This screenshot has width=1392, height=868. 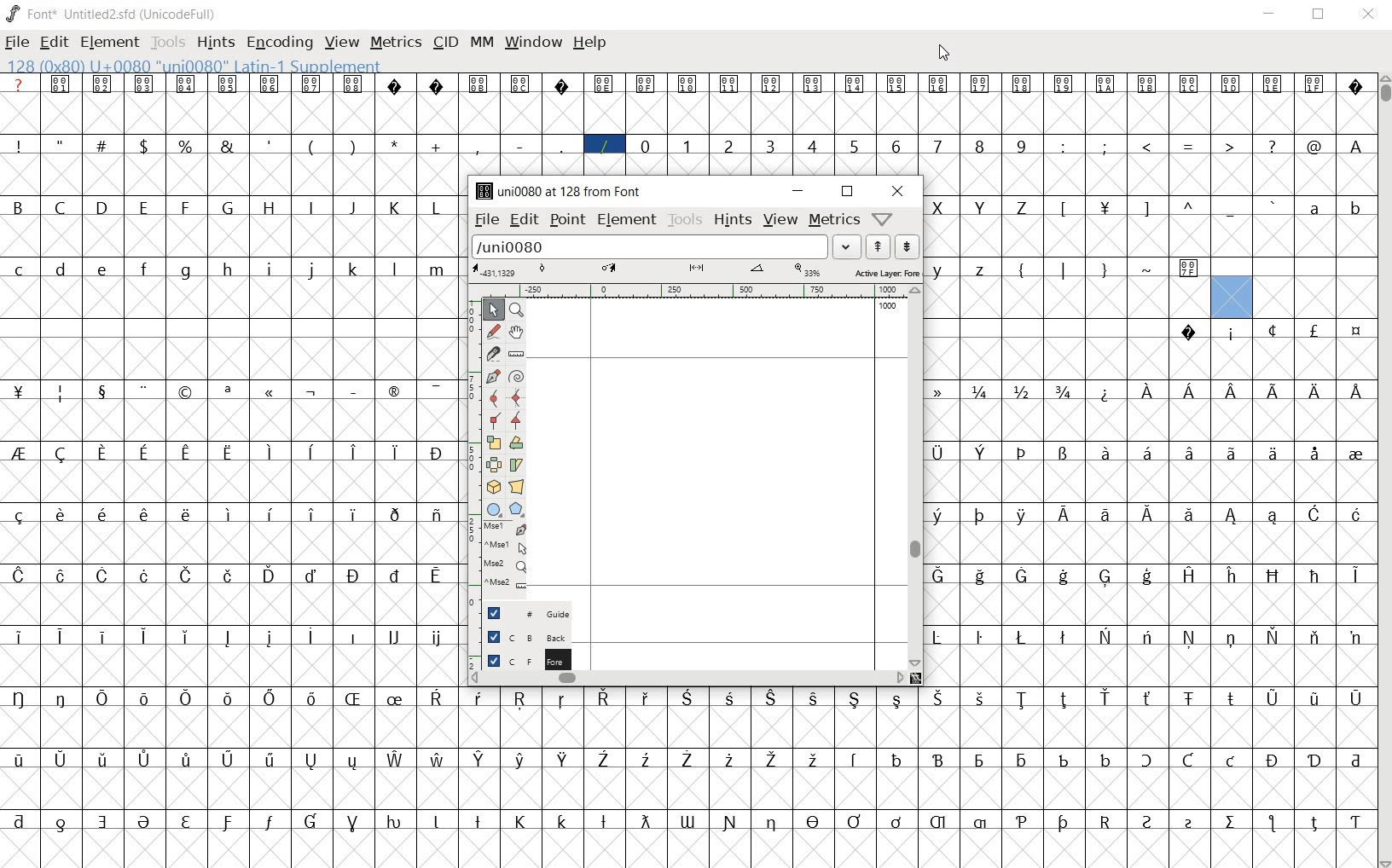 I want to click on glyph, so click(x=228, y=759).